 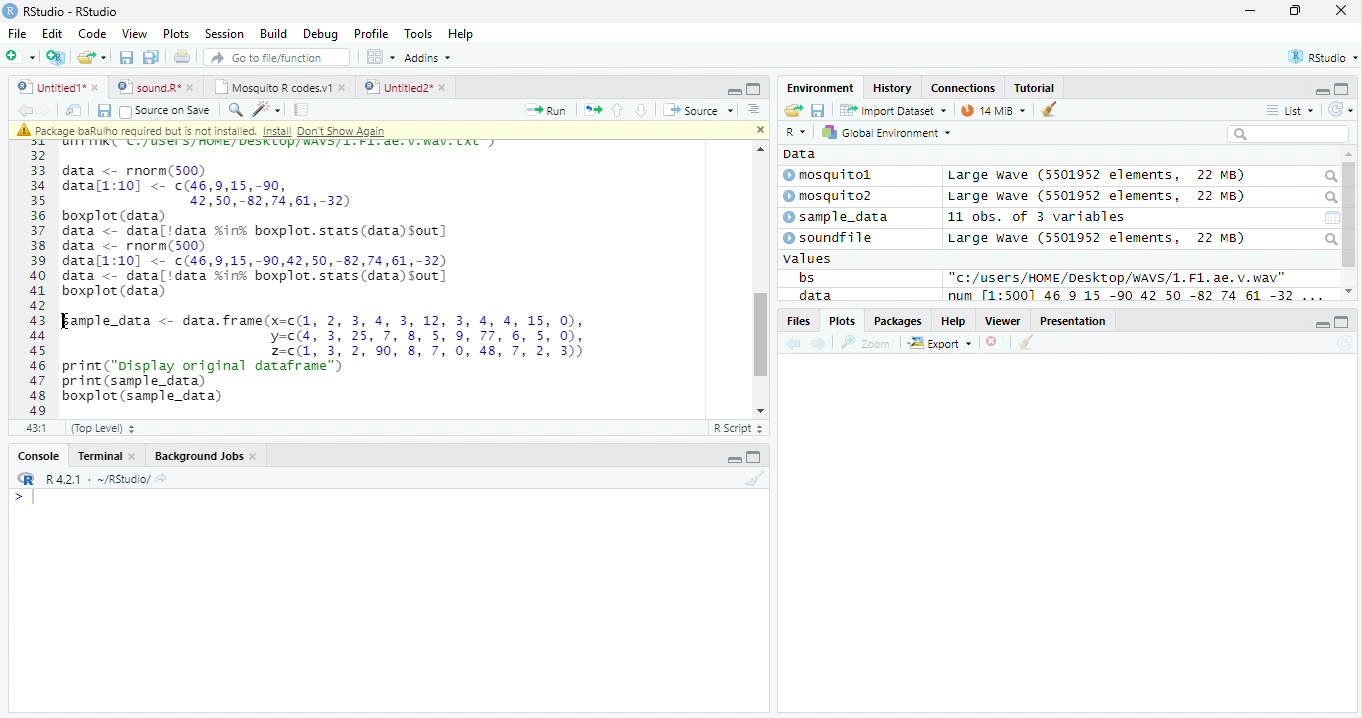 What do you see at coordinates (1288, 133) in the screenshot?
I see `search bar` at bounding box center [1288, 133].